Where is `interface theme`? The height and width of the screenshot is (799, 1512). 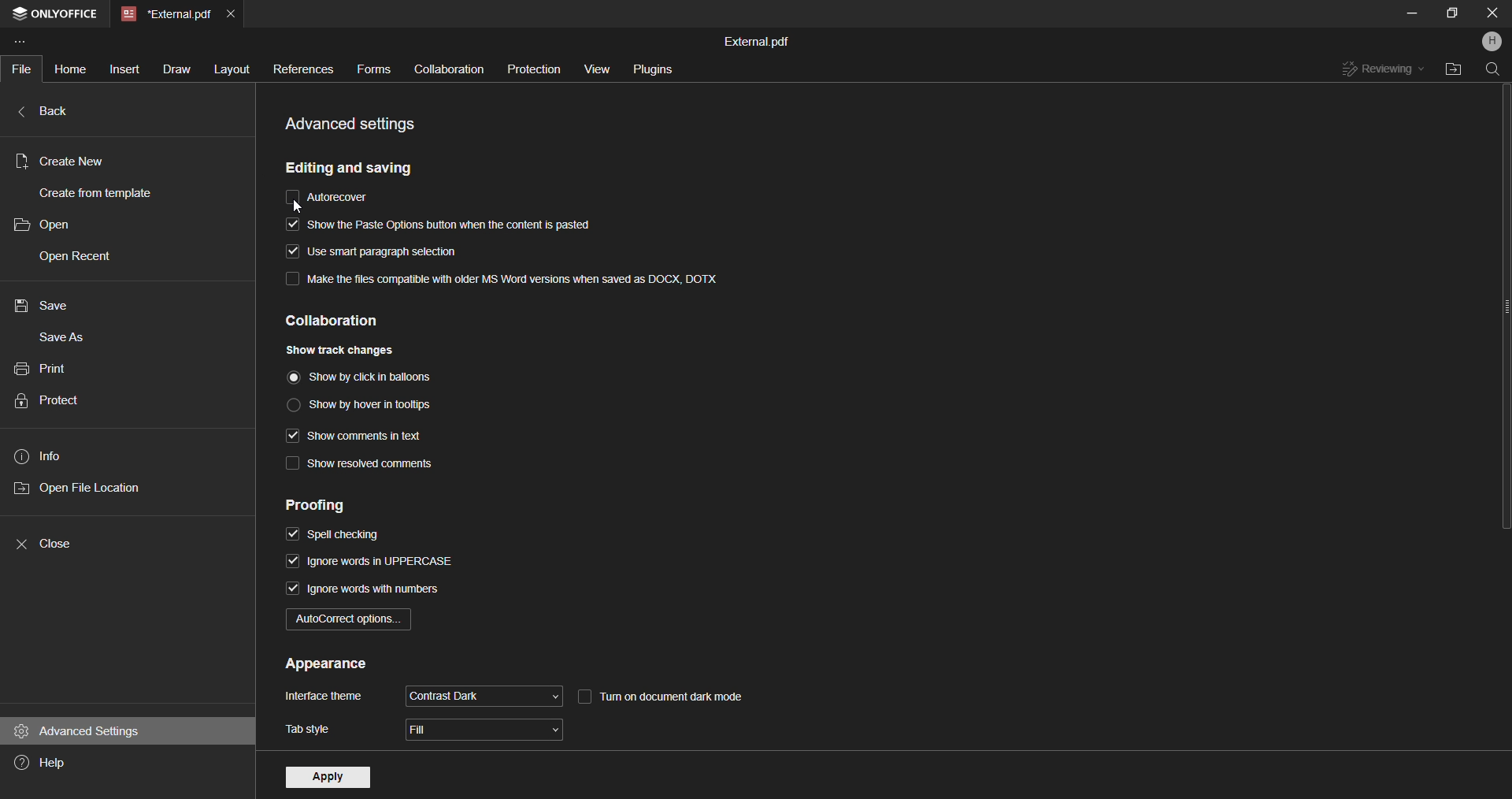 interface theme is located at coordinates (325, 697).